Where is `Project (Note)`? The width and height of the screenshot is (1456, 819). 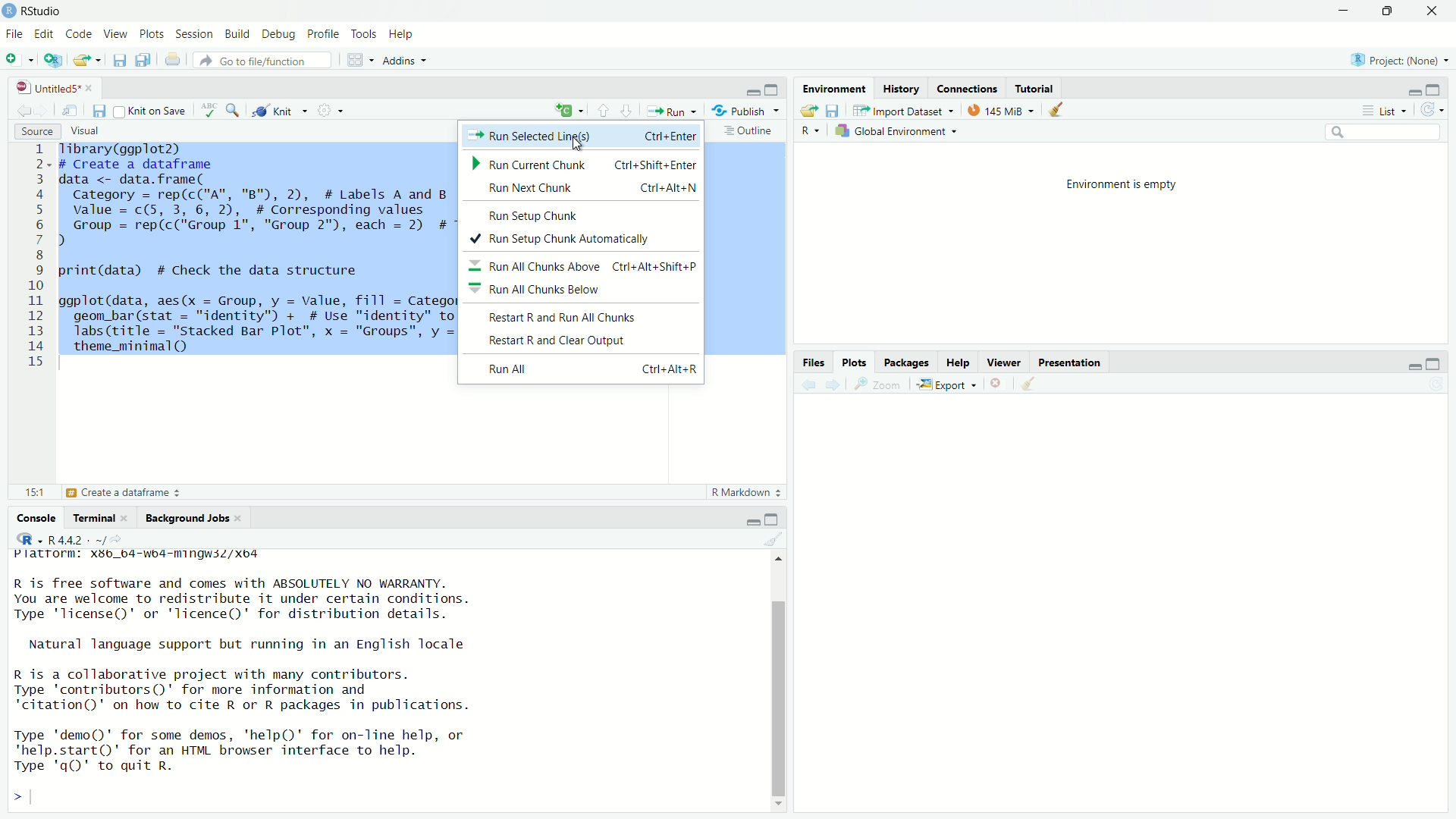
Project (Note) is located at coordinates (1401, 58).